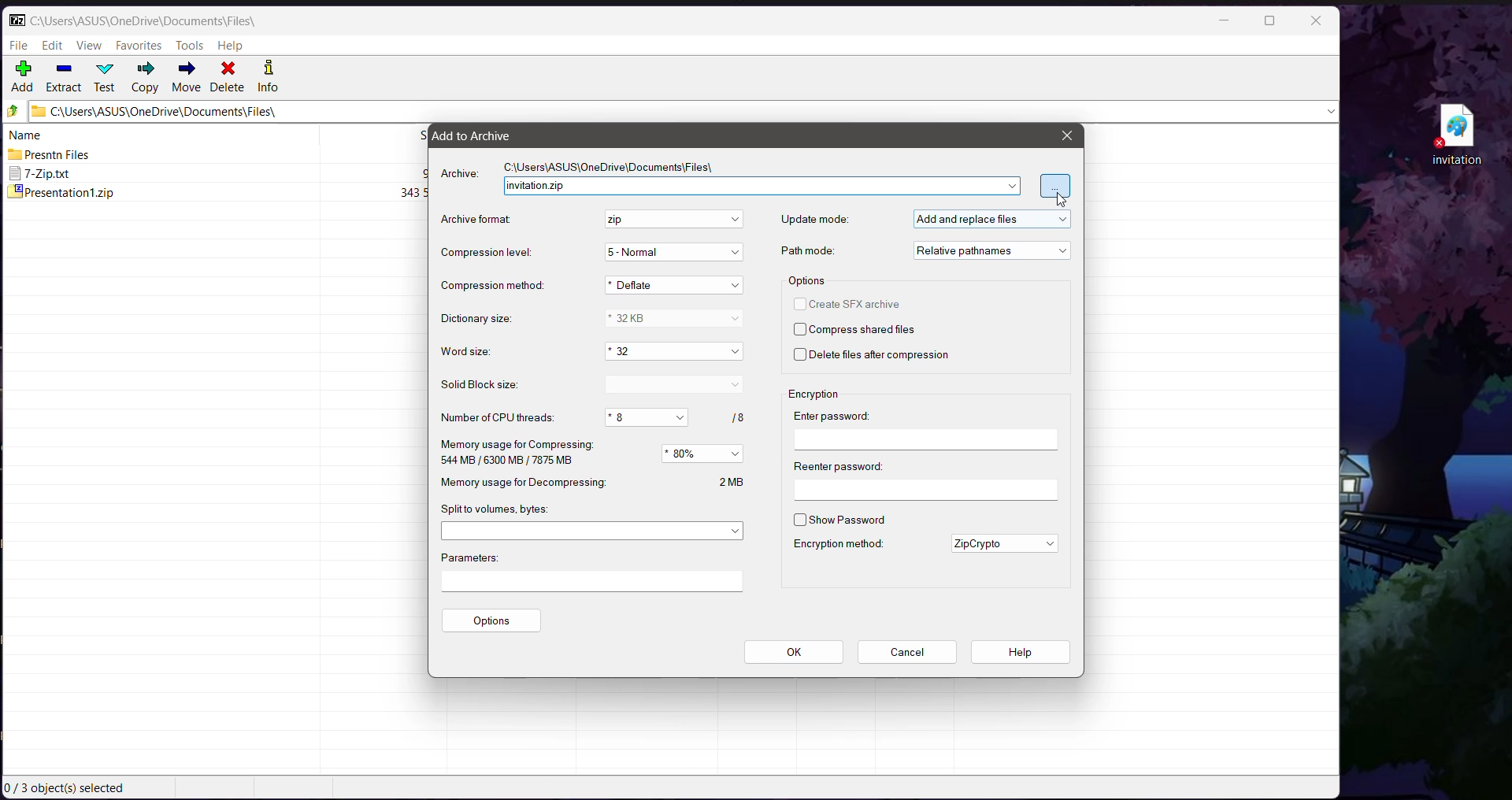 The width and height of the screenshot is (1512, 800). What do you see at coordinates (811, 250) in the screenshot?
I see `Path mode` at bounding box center [811, 250].